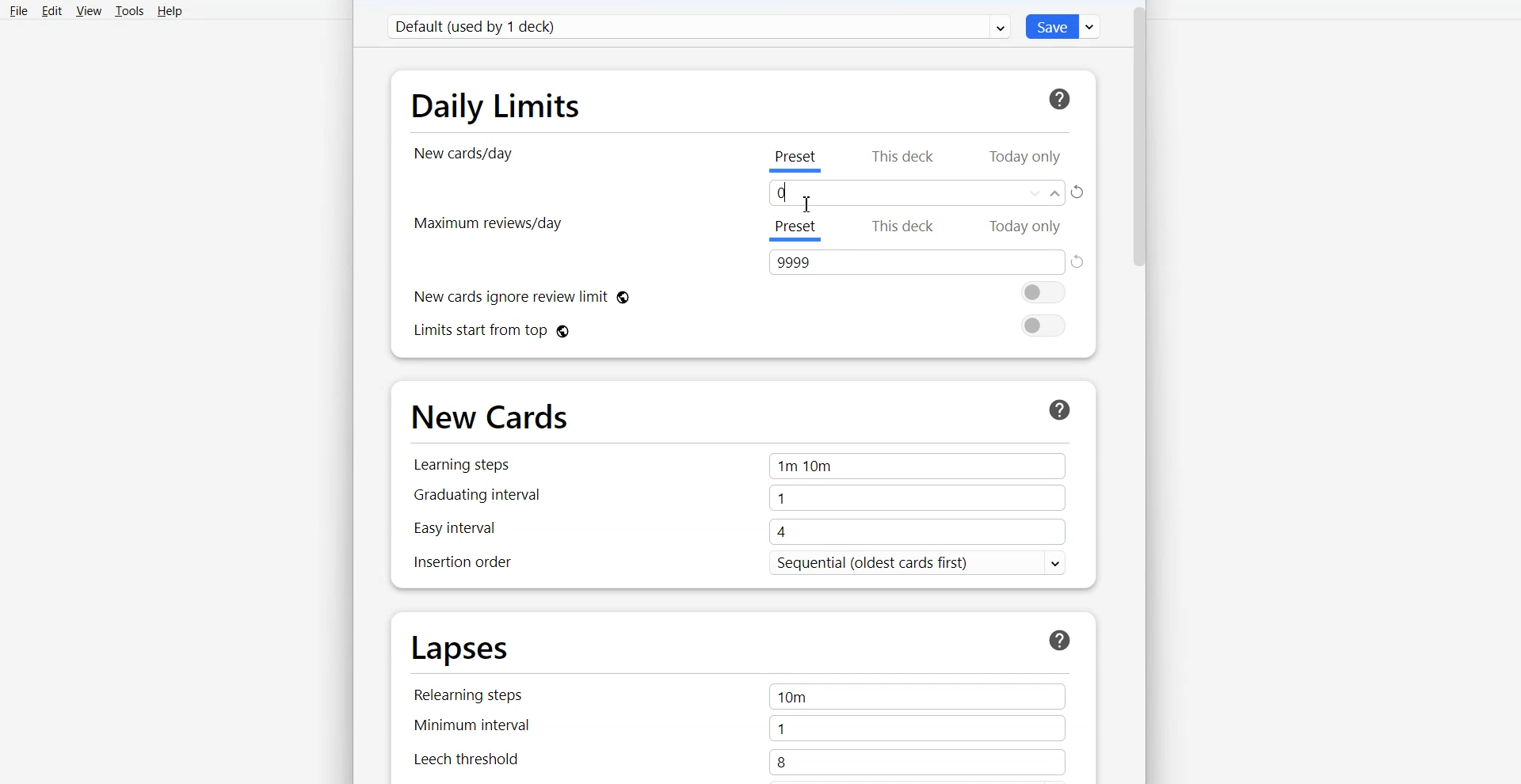 Image resolution: width=1521 pixels, height=784 pixels. I want to click on File, so click(19, 10).